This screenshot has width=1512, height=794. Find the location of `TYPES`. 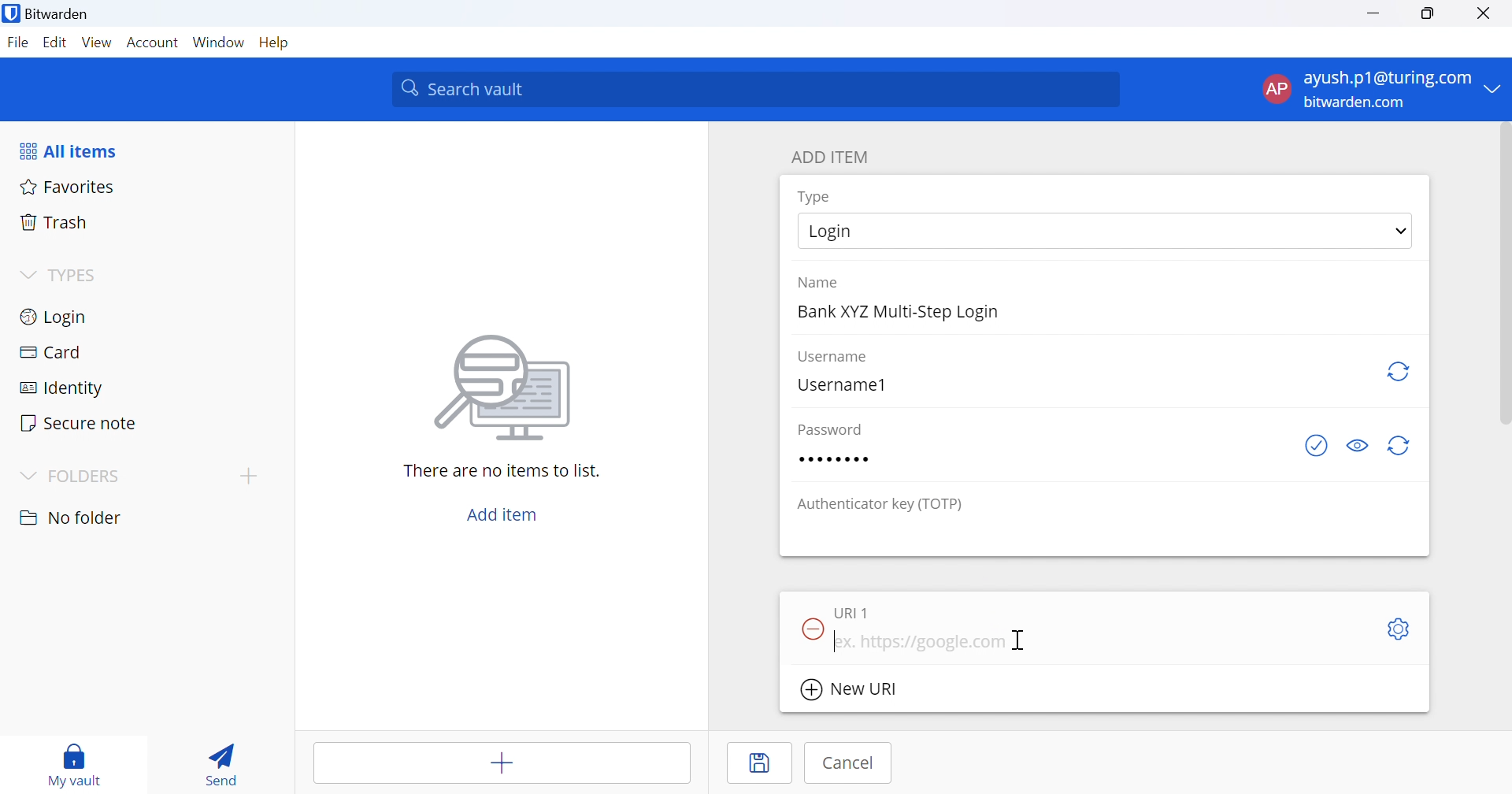

TYPES is located at coordinates (77, 276).